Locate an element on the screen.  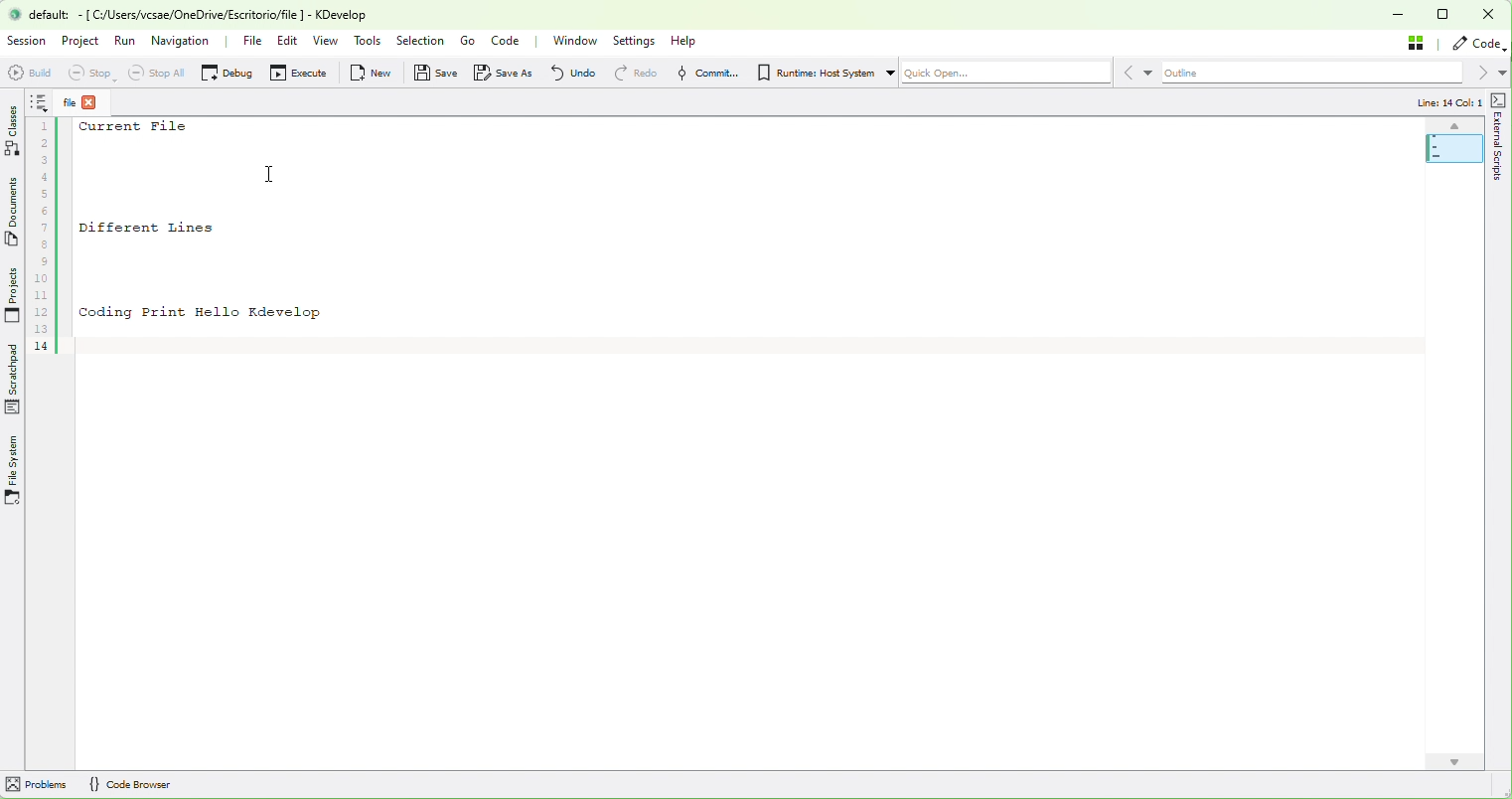
File is located at coordinates (253, 43).